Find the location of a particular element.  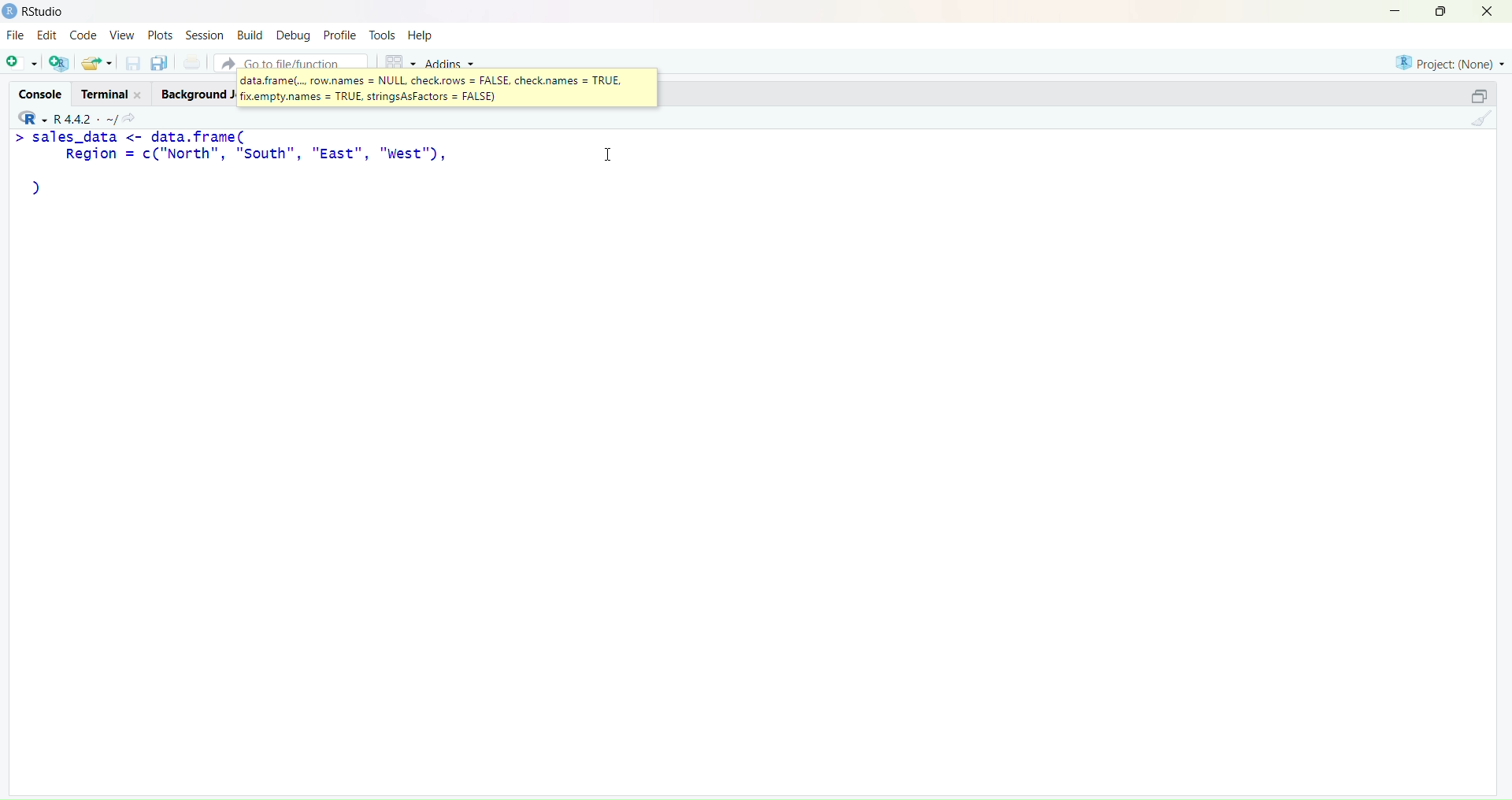

sales_data <- data.trame(
Region = c("North", "South", "East", "west"),
bY is located at coordinates (244, 161).